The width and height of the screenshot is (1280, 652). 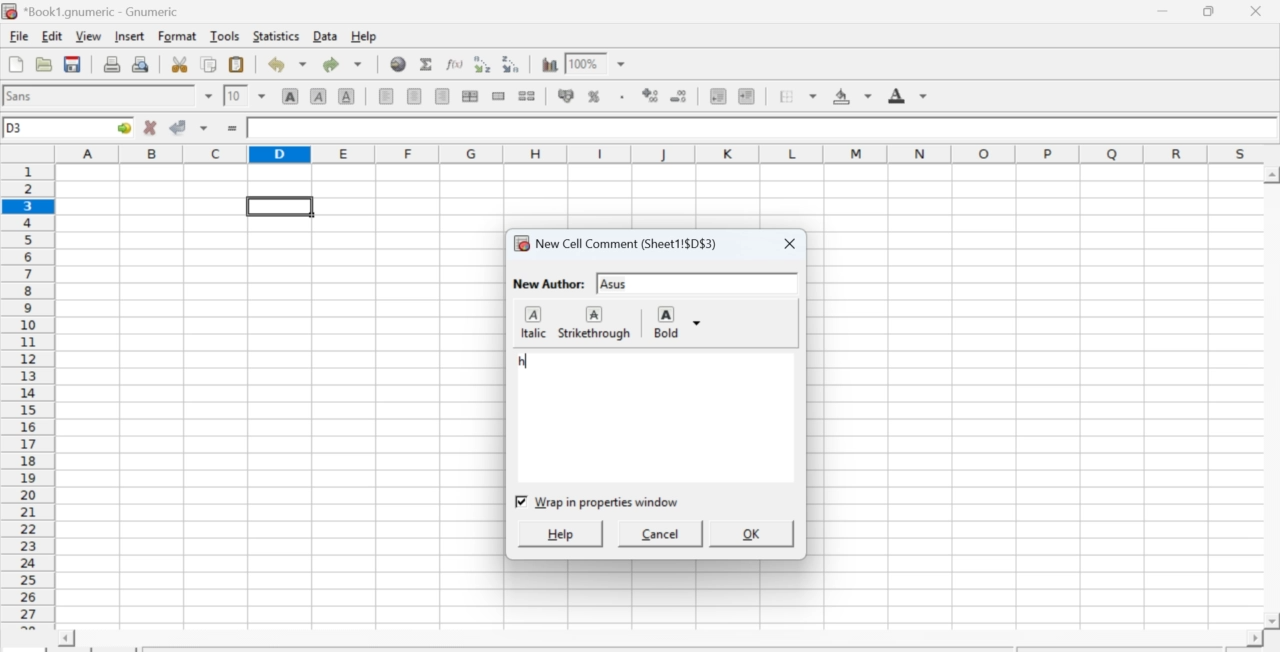 I want to click on Data, so click(x=326, y=36).